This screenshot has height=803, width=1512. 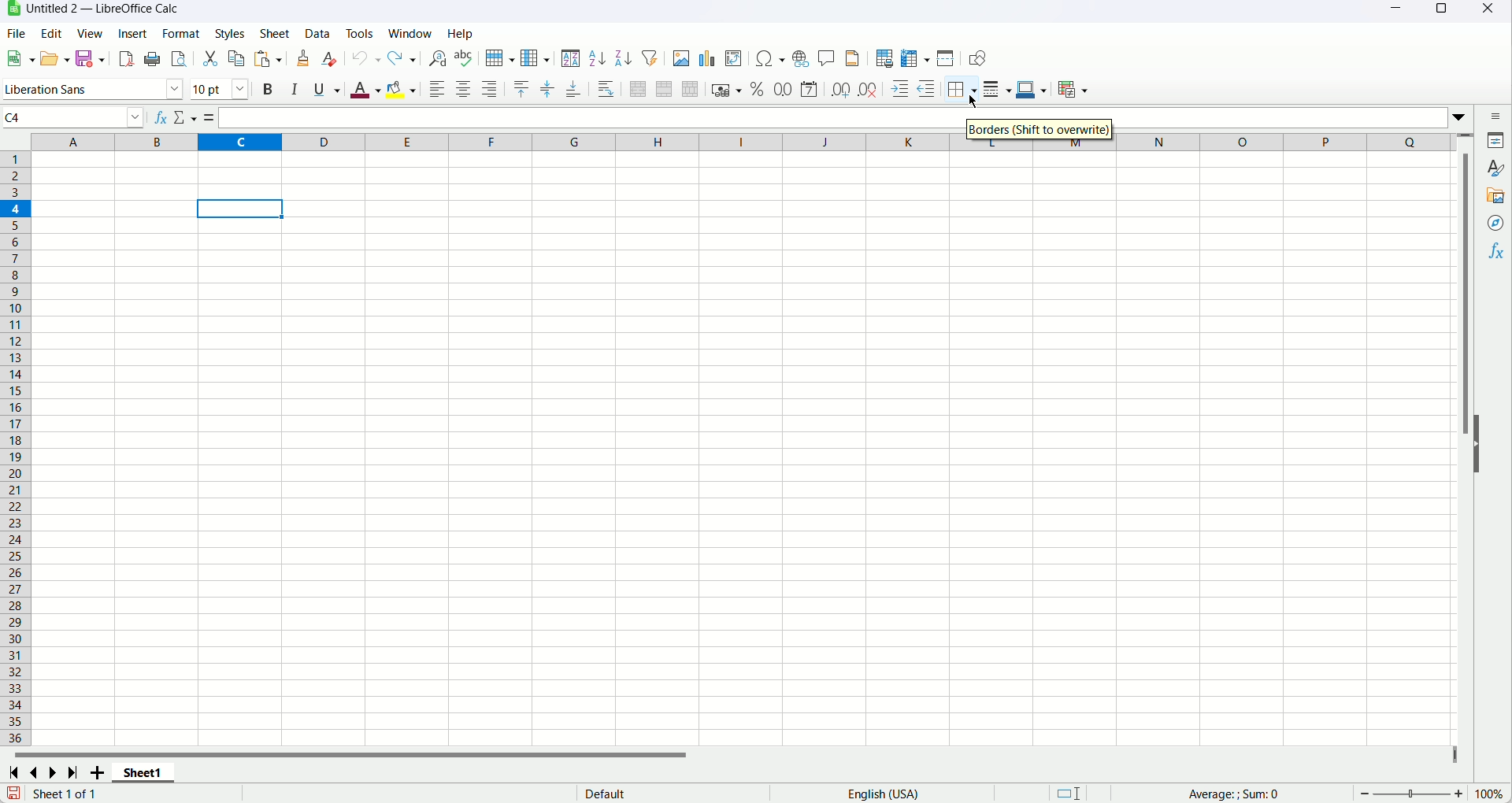 What do you see at coordinates (614, 794) in the screenshot?
I see `text` at bounding box center [614, 794].